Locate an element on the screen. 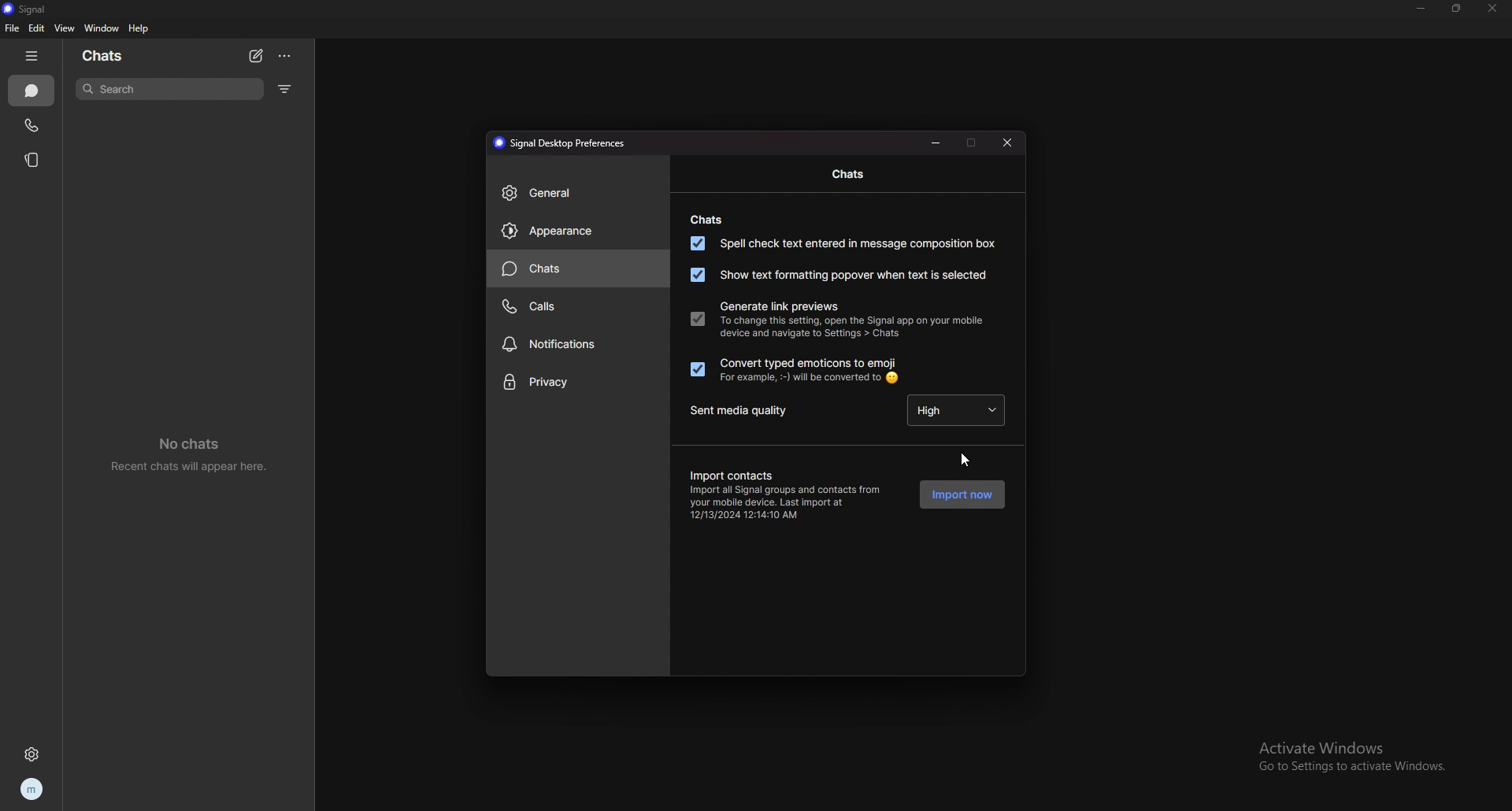 The width and height of the screenshot is (1512, 811). chats is located at coordinates (850, 175).